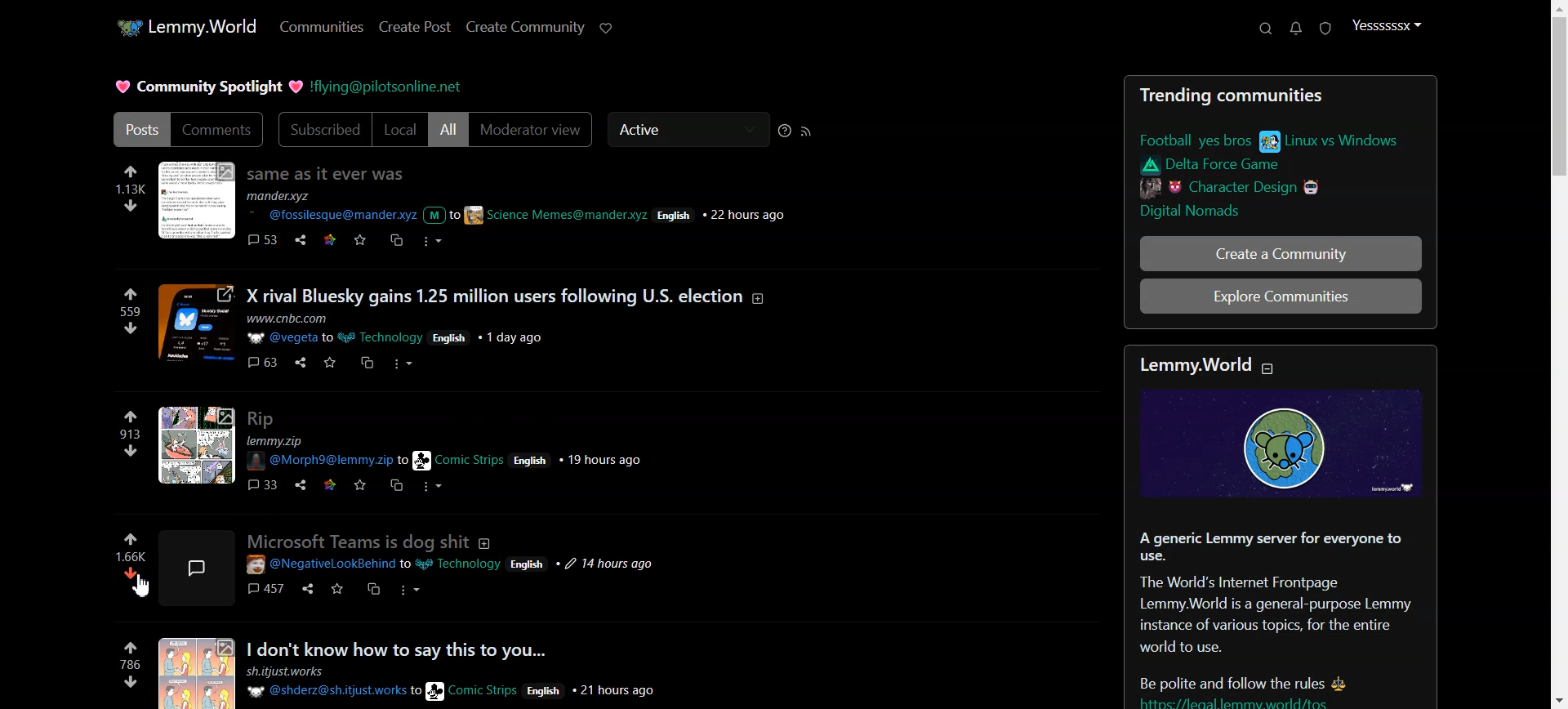 This screenshot has height=709, width=1568. What do you see at coordinates (139, 586) in the screenshot?
I see `Cursor` at bounding box center [139, 586].